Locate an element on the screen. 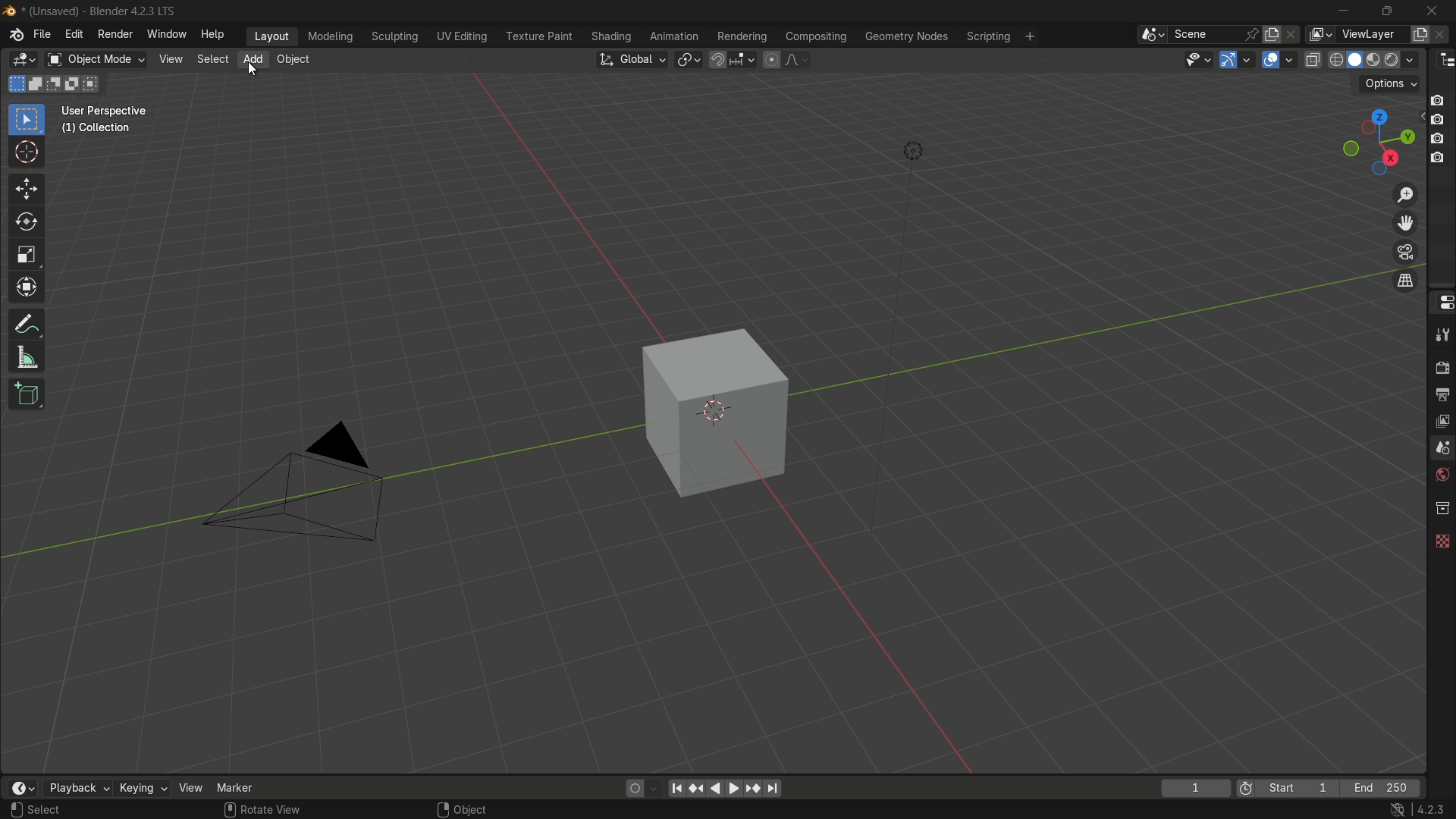 This screenshot has width=1456, height=819. move view layer is located at coordinates (1406, 224).